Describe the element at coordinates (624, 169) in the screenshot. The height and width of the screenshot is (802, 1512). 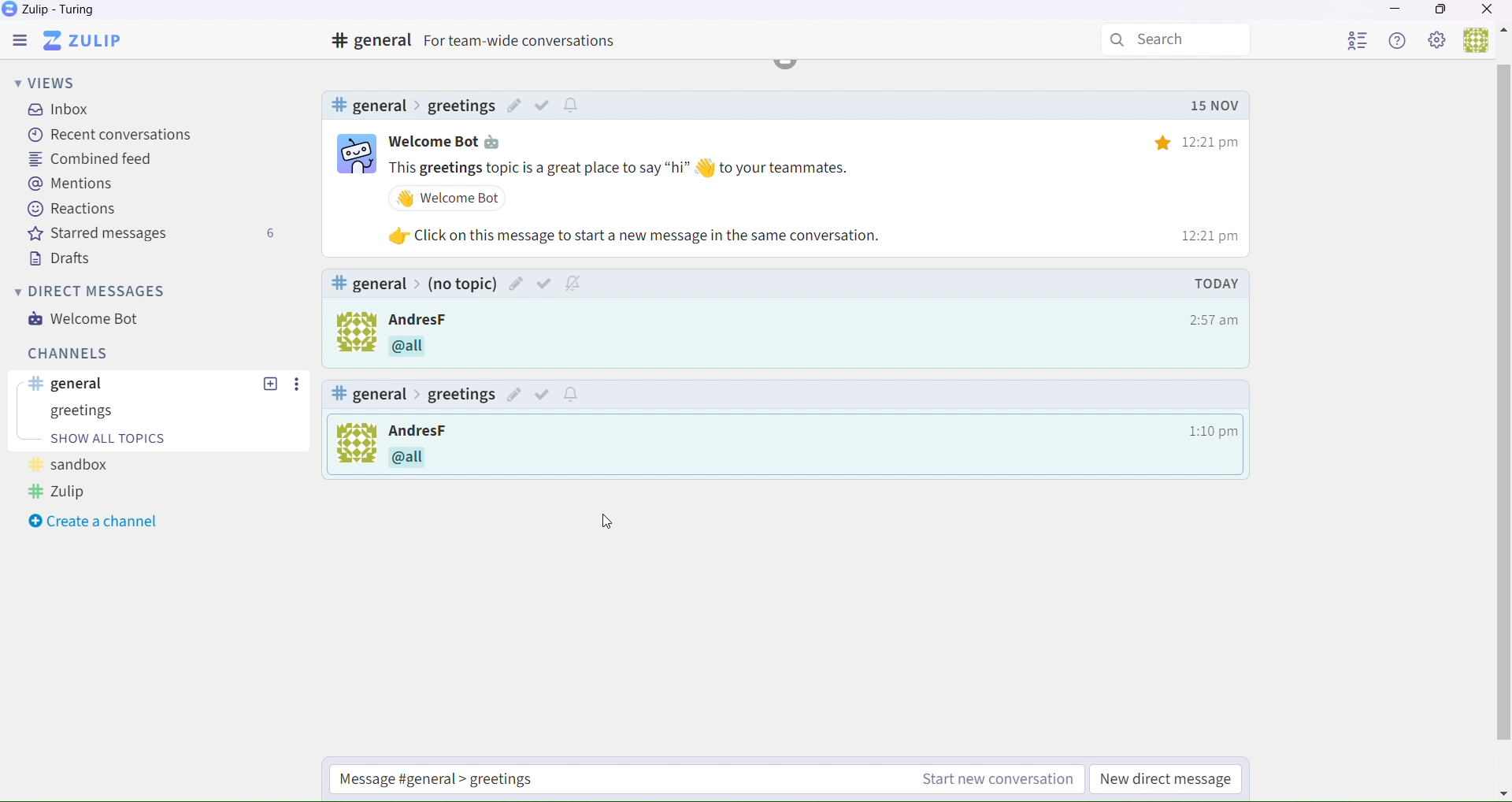
I see `` at that location.